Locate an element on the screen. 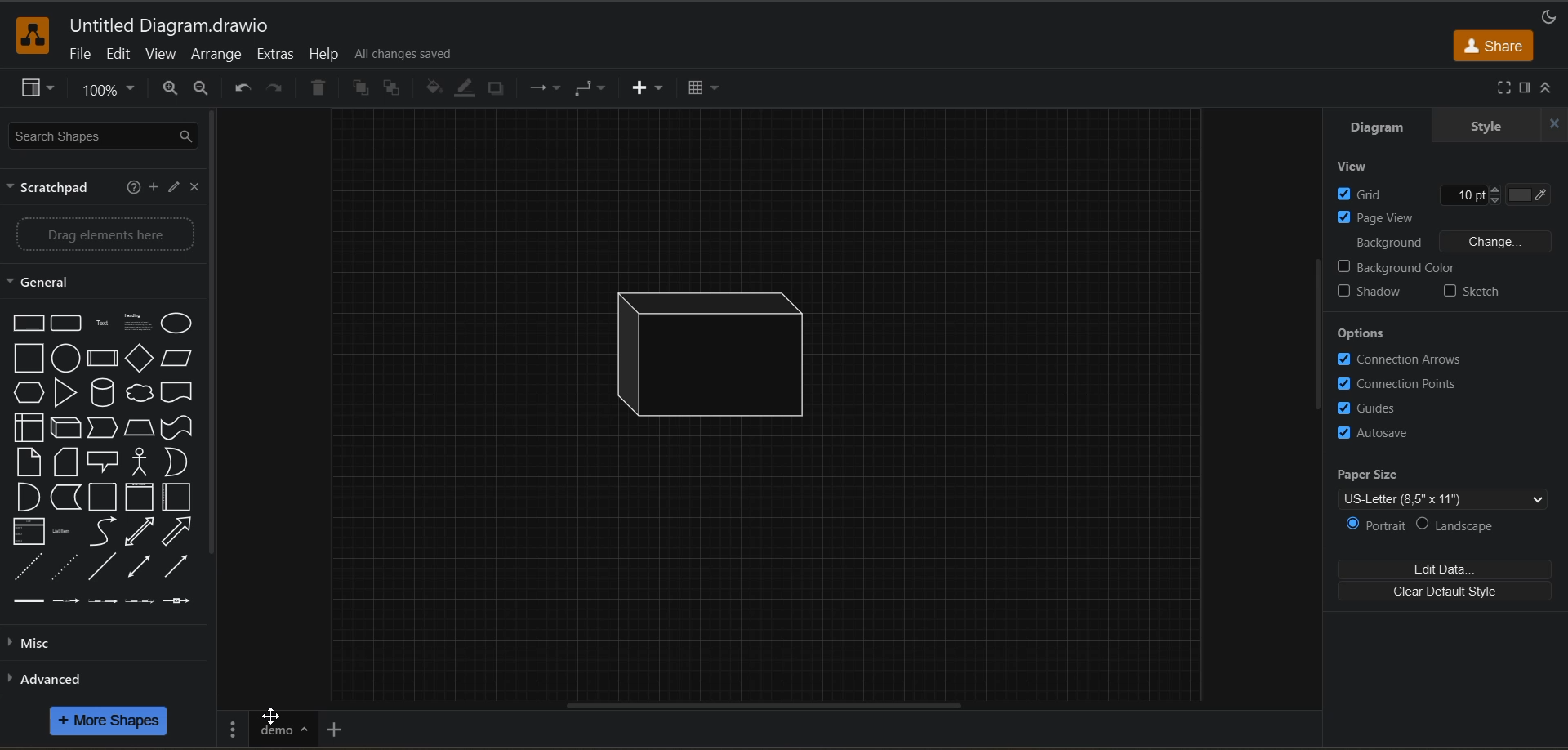  background is located at coordinates (1456, 242).